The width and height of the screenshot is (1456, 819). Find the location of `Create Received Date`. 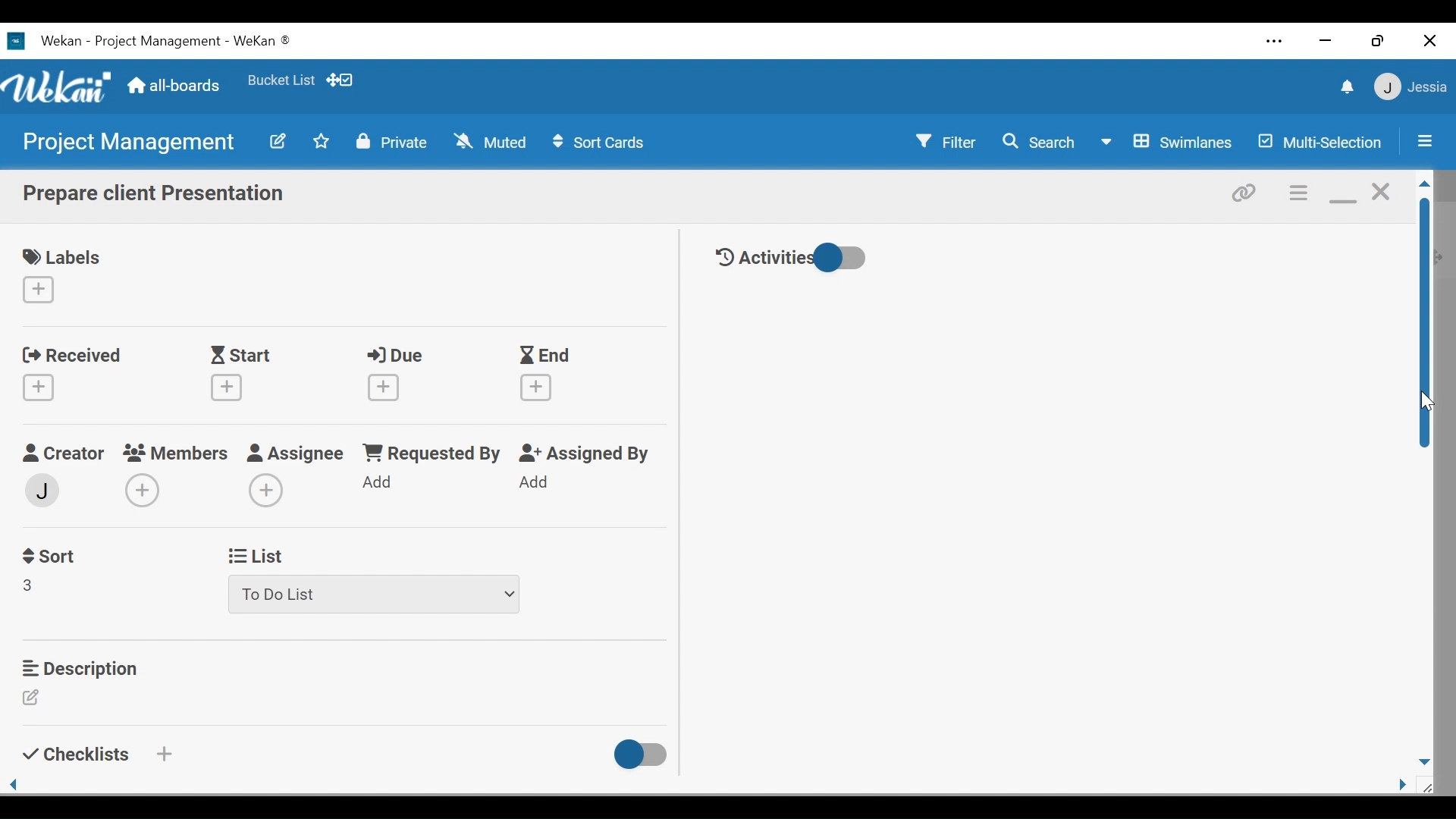

Create Received Date is located at coordinates (39, 387).